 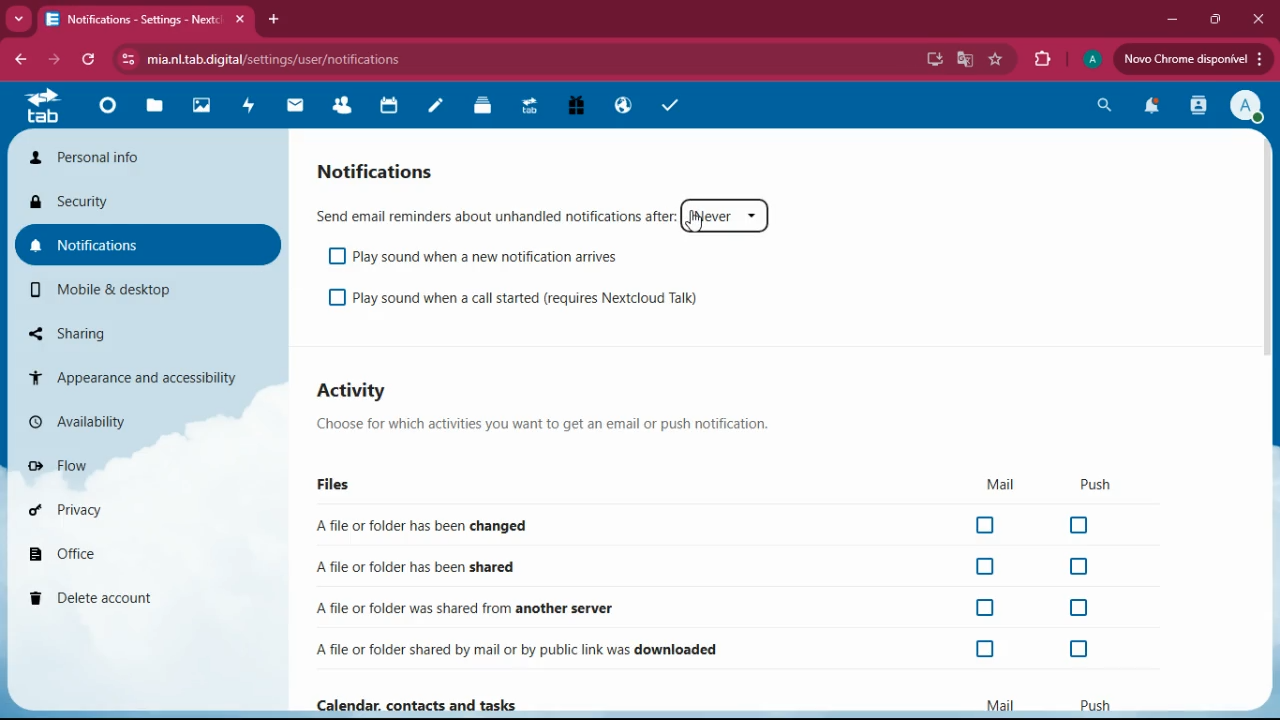 I want to click on update, so click(x=1191, y=58).